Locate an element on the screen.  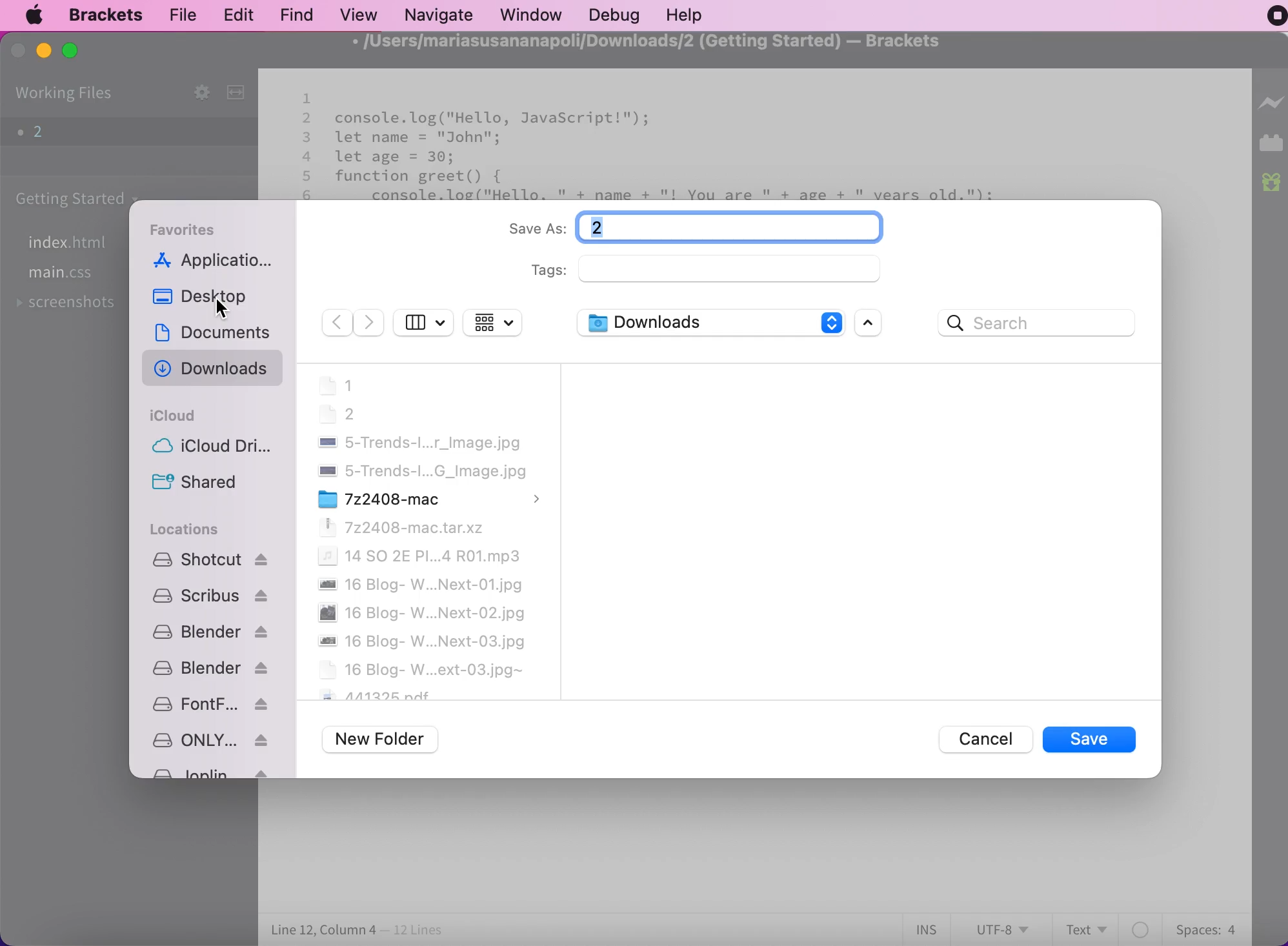
text is located at coordinates (1089, 928).